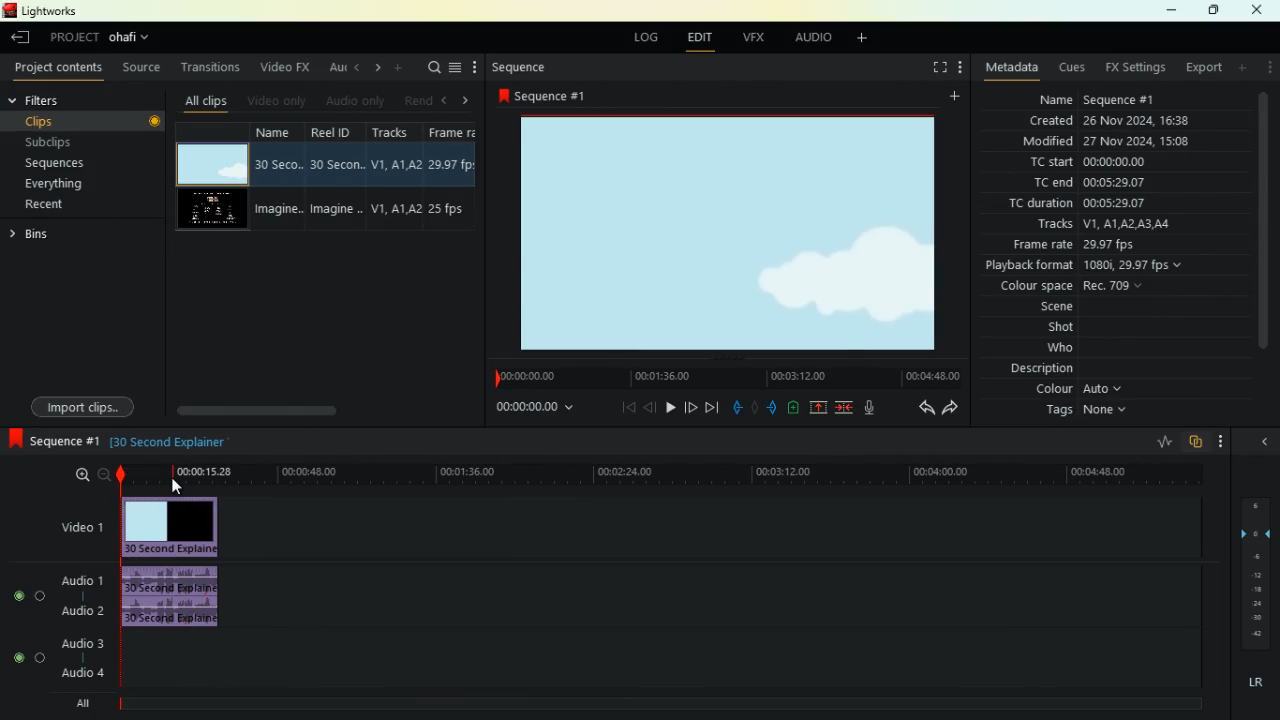 This screenshot has width=1280, height=720. What do you see at coordinates (619, 408) in the screenshot?
I see `beggining` at bounding box center [619, 408].